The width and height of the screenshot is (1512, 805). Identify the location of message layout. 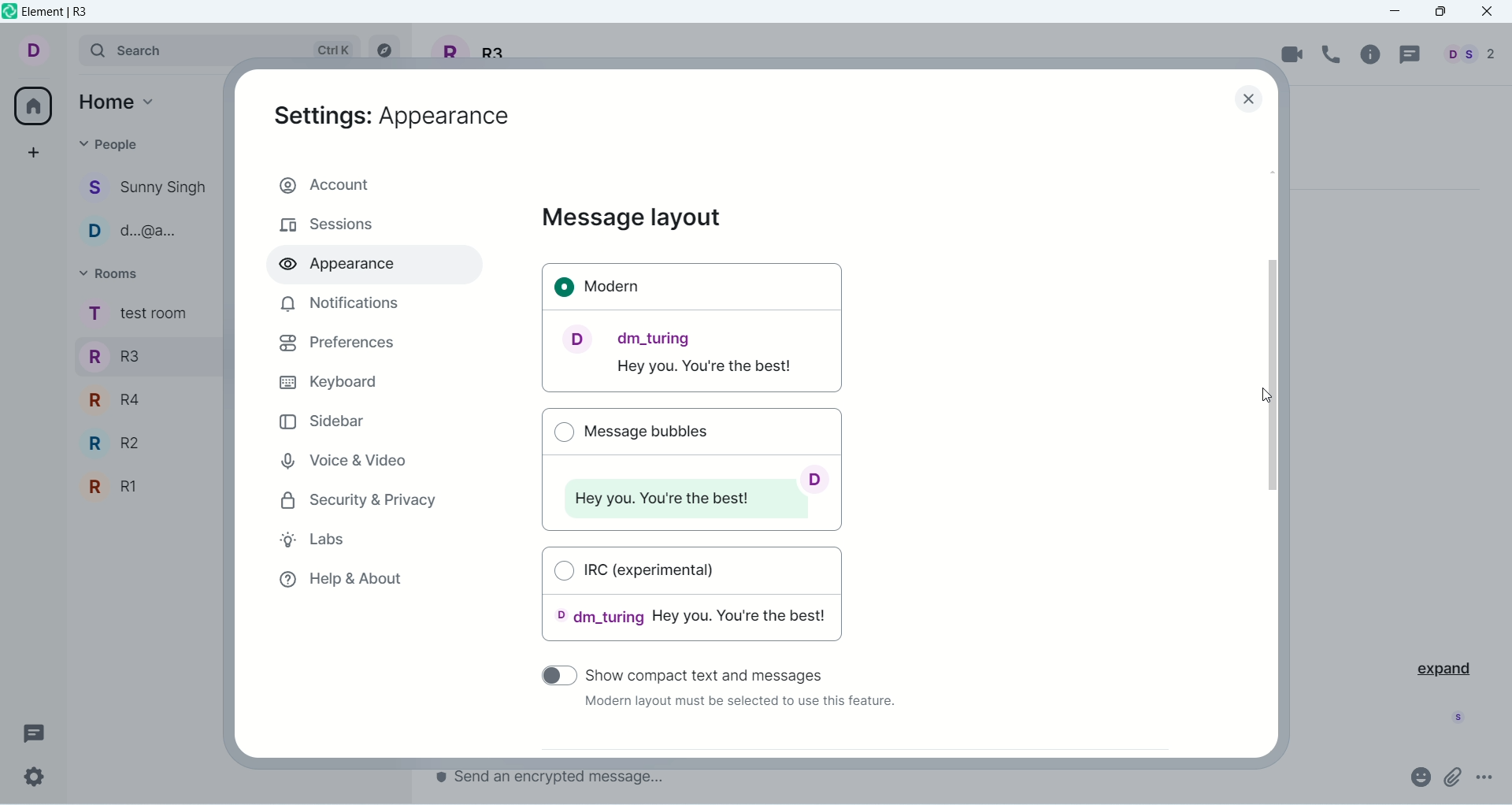
(632, 218).